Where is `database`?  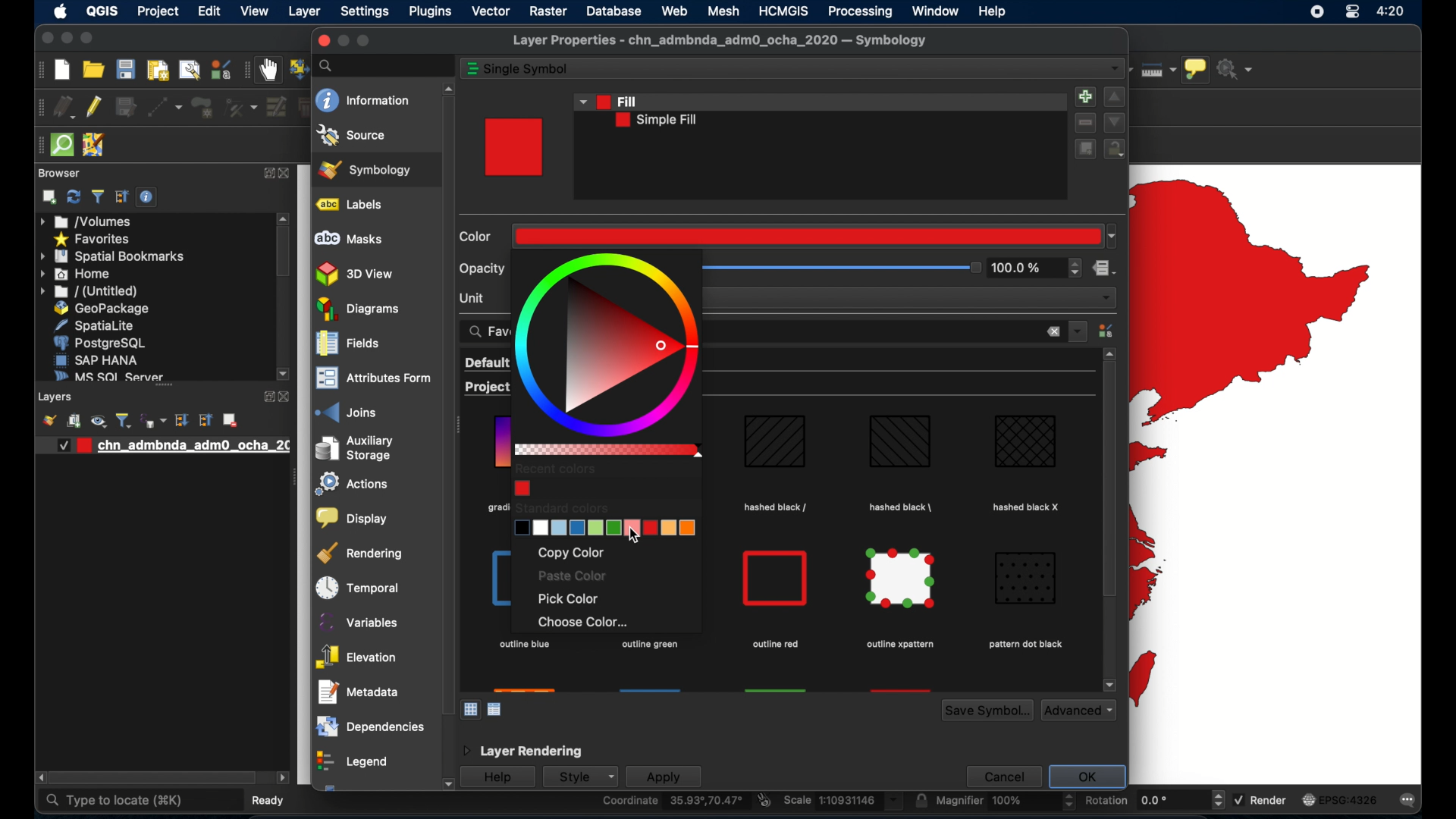
database is located at coordinates (616, 11).